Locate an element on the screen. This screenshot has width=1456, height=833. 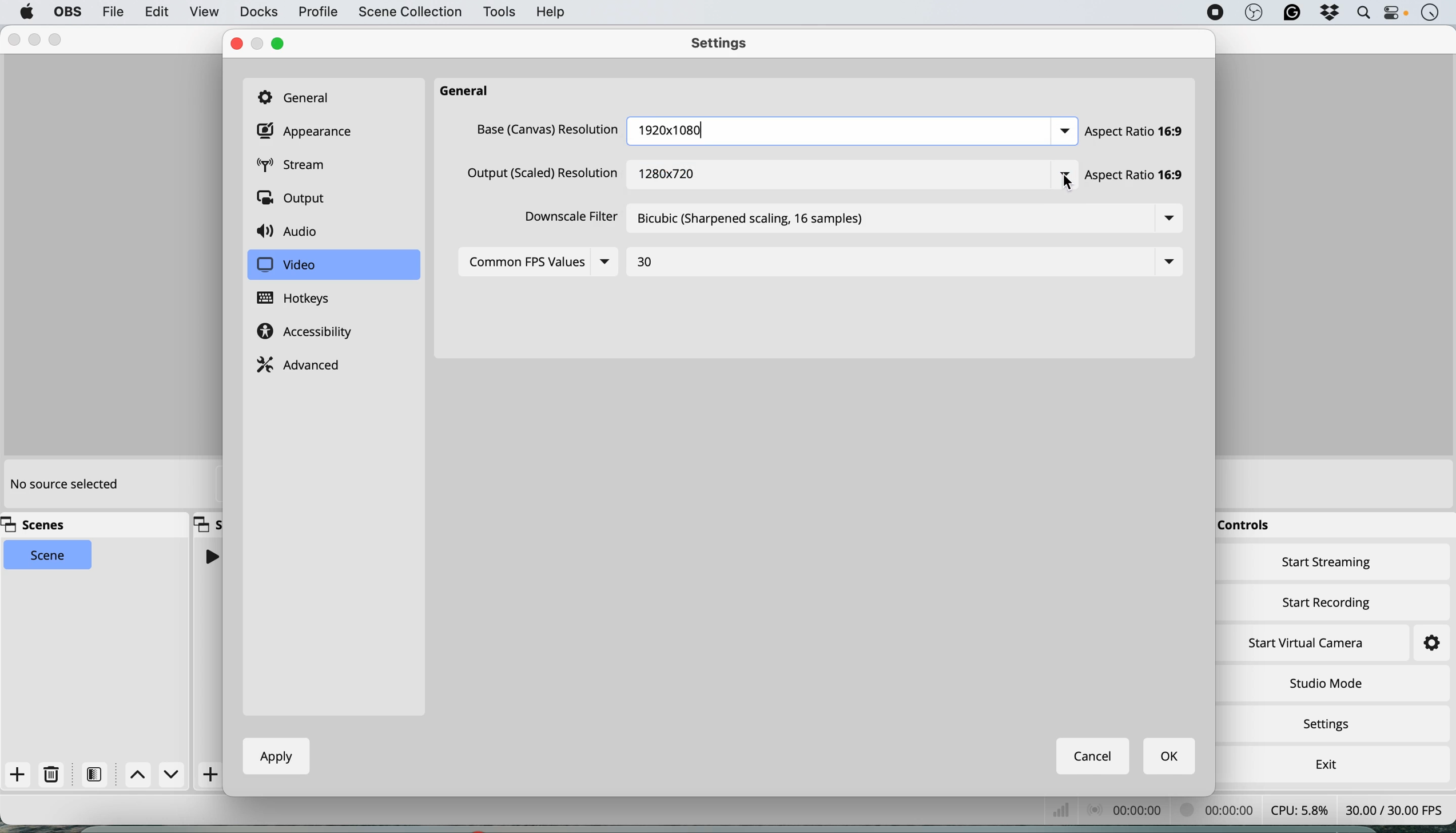
frames per second is located at coordinates (1063, 810).